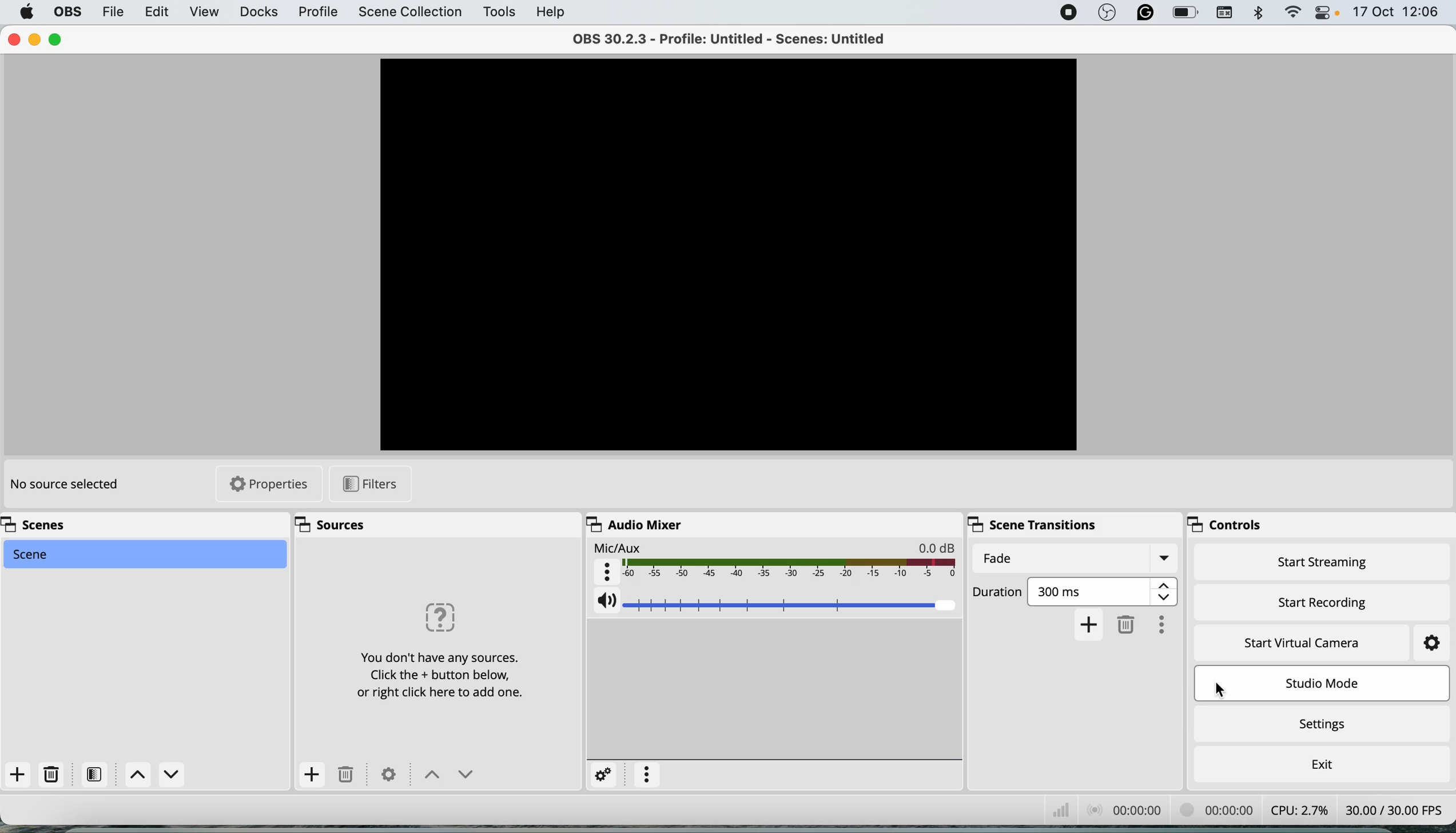 The height and width of the screenshot is (833, 1456). What do you see at coordinates (36, 39) in the screenshot?
I see `minimise` at bounding box center [36, 39].